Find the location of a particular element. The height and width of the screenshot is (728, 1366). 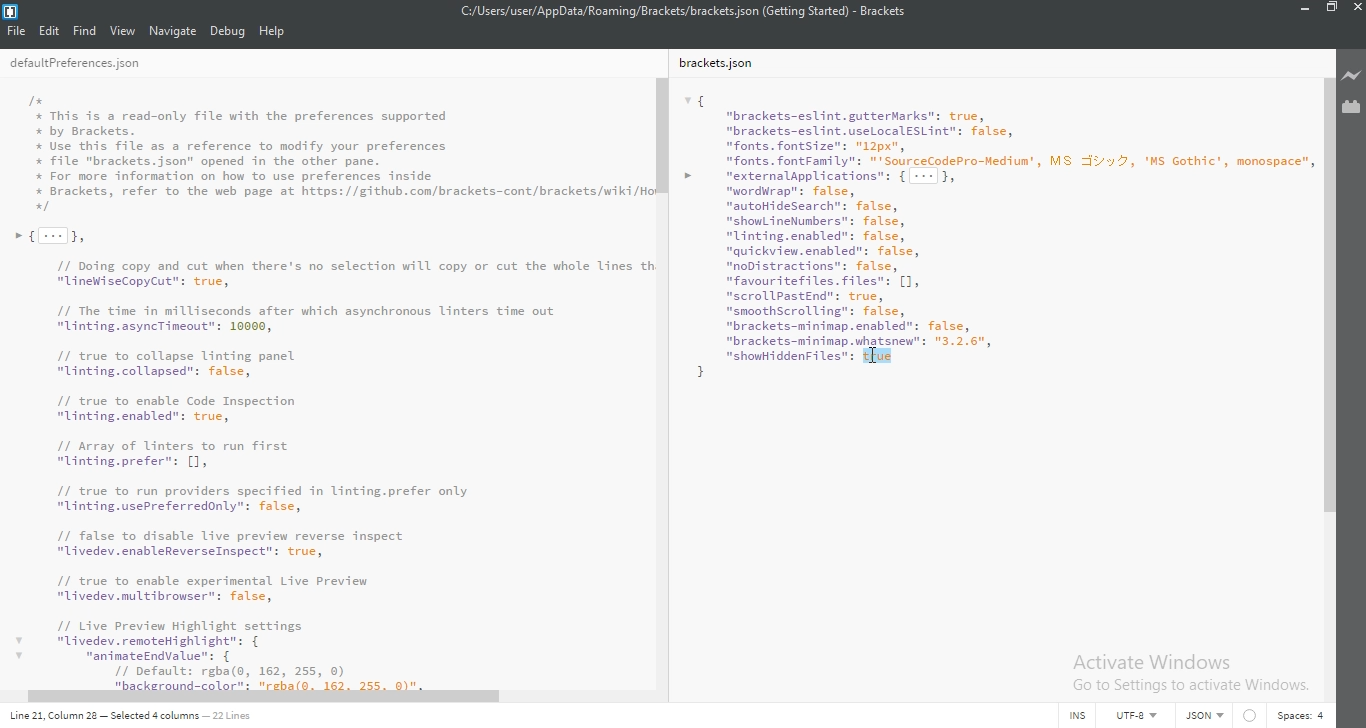

deafultPreferences.json is located at coordinates (76, 63).